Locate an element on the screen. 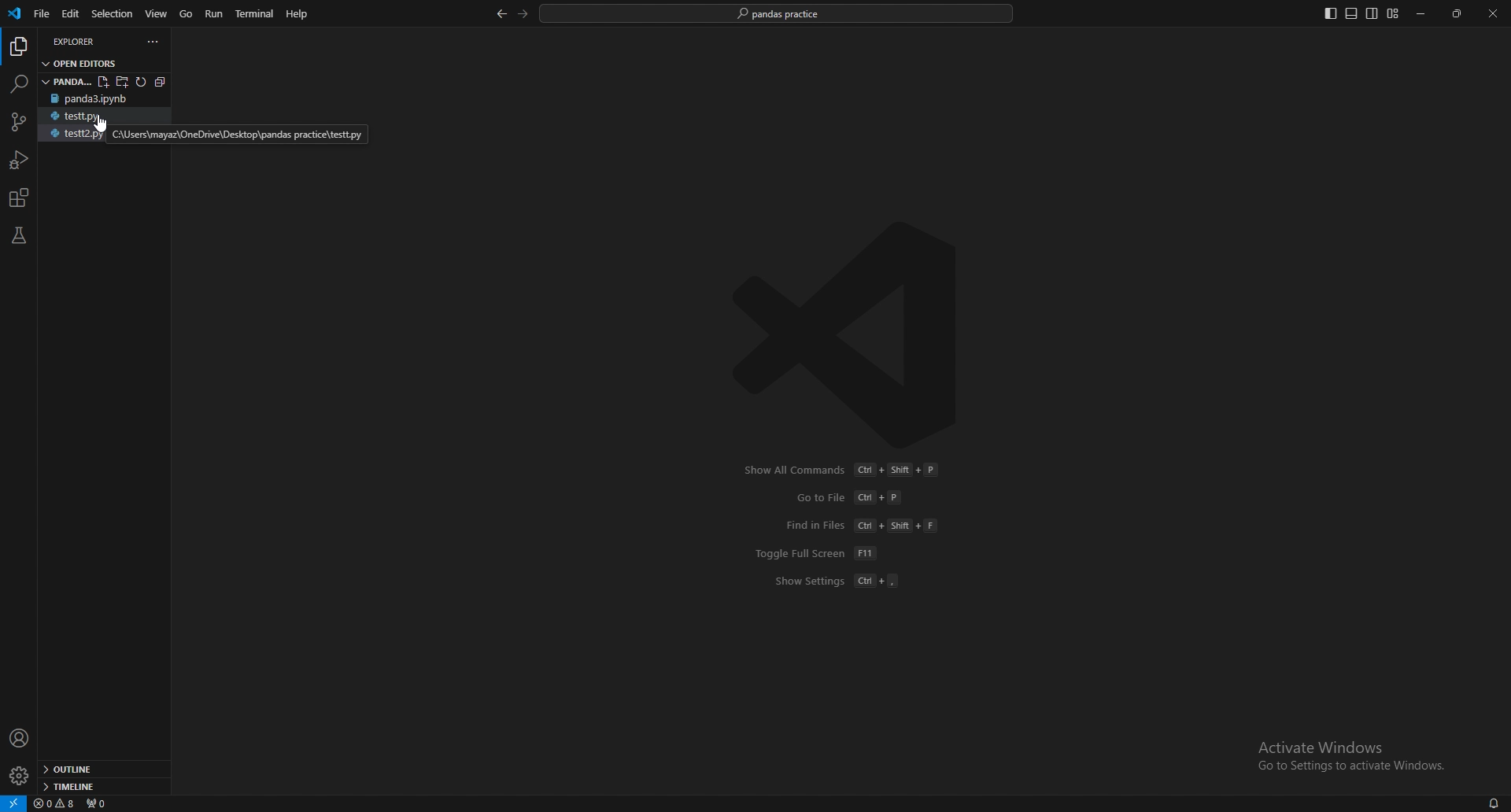  profile is located at coordinates (20, 739).